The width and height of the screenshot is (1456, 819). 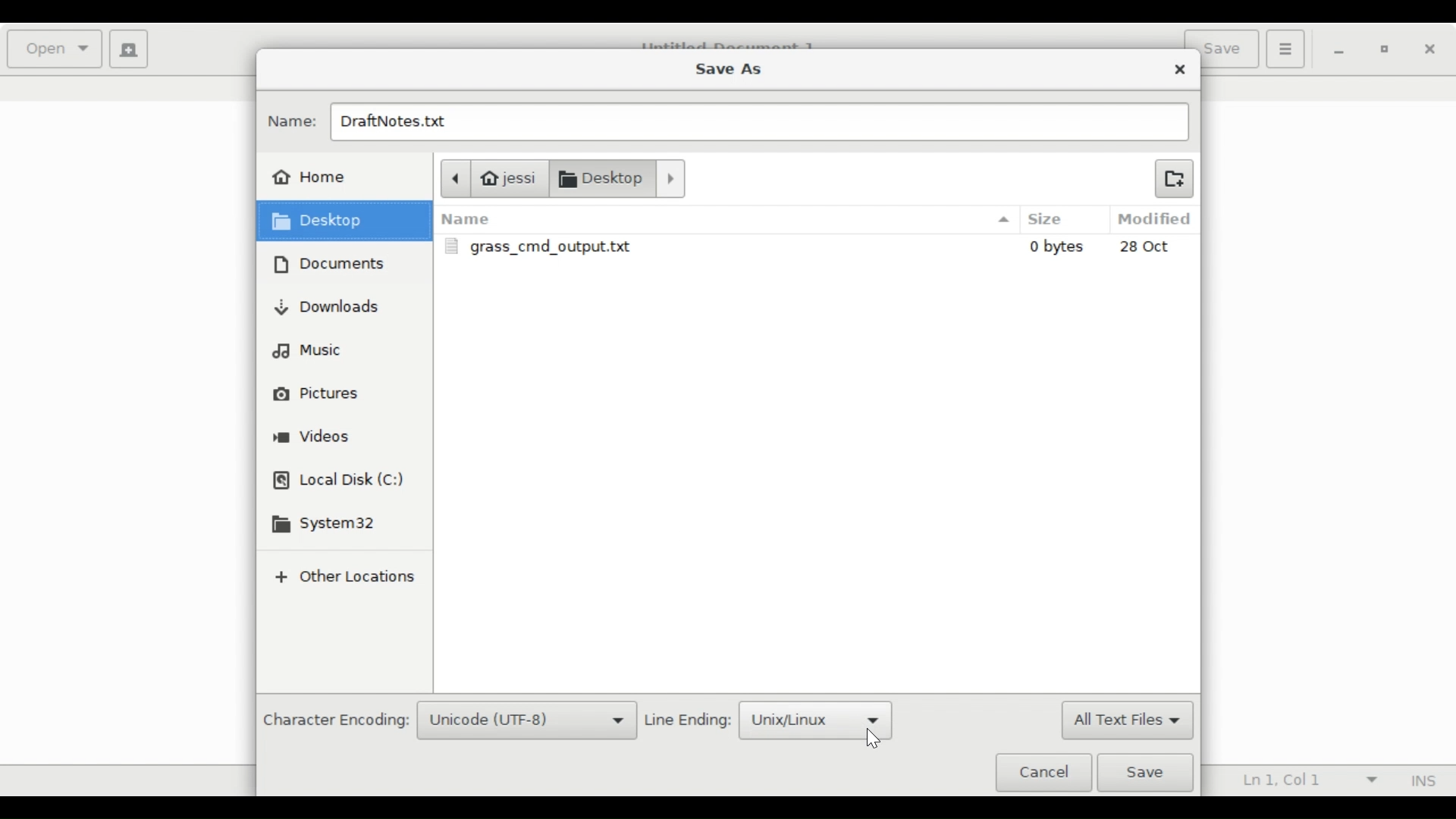 What do you see at coordinates (334, 721) in the screenshot?
I see `Character Encoding` at bounding box center [334, 721].